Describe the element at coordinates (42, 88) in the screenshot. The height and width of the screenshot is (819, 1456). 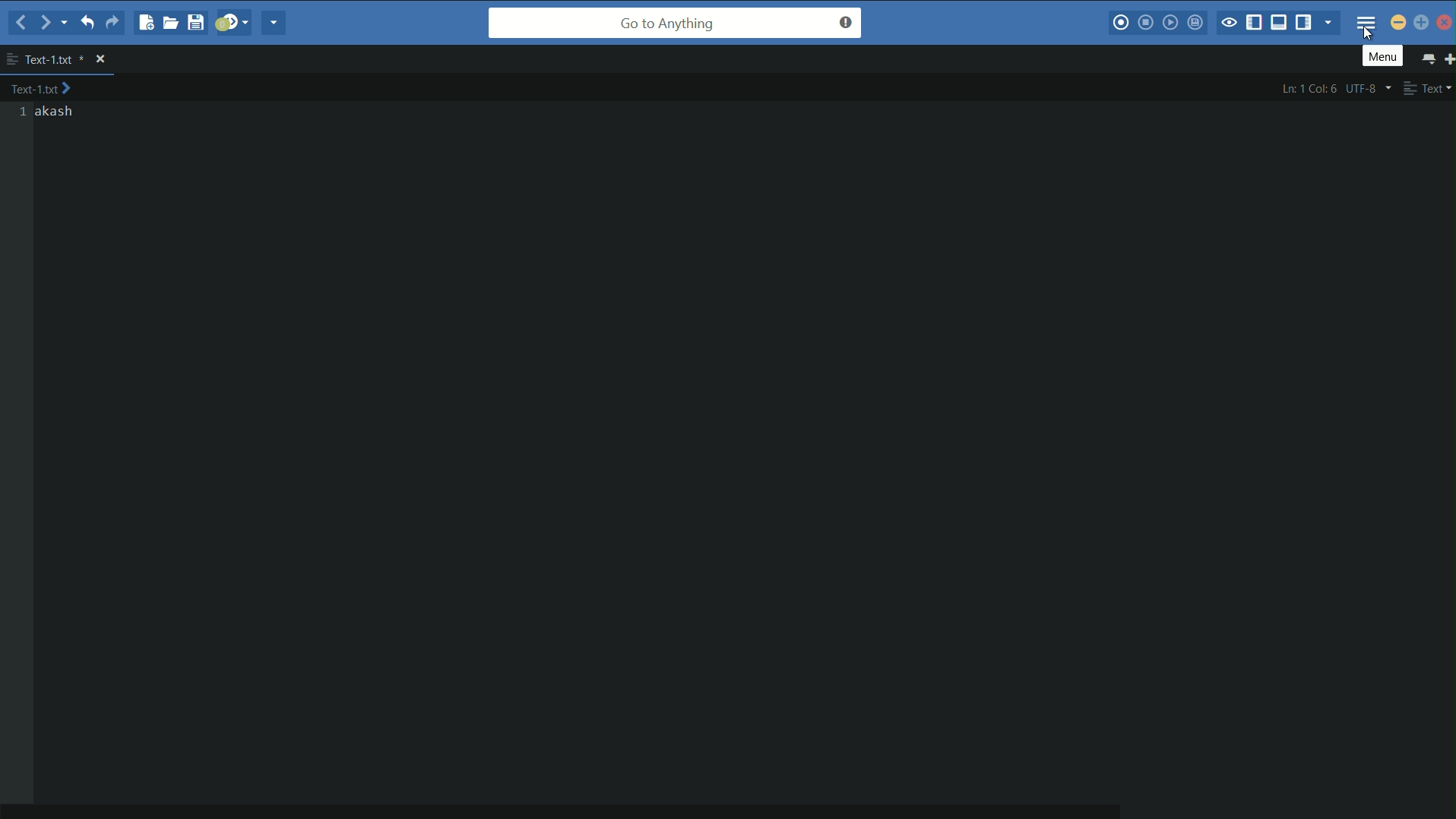
I see `text-1 file` at that location.